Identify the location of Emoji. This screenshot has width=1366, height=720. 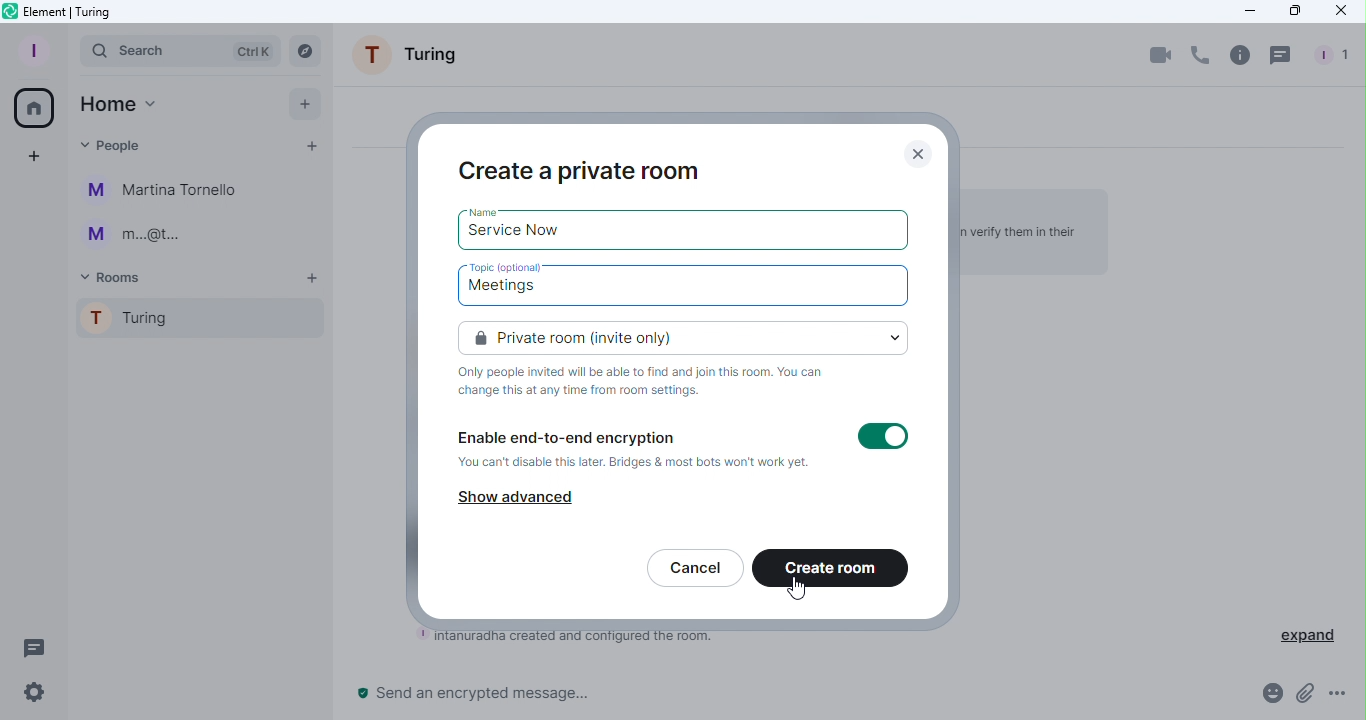
(1268, 697).